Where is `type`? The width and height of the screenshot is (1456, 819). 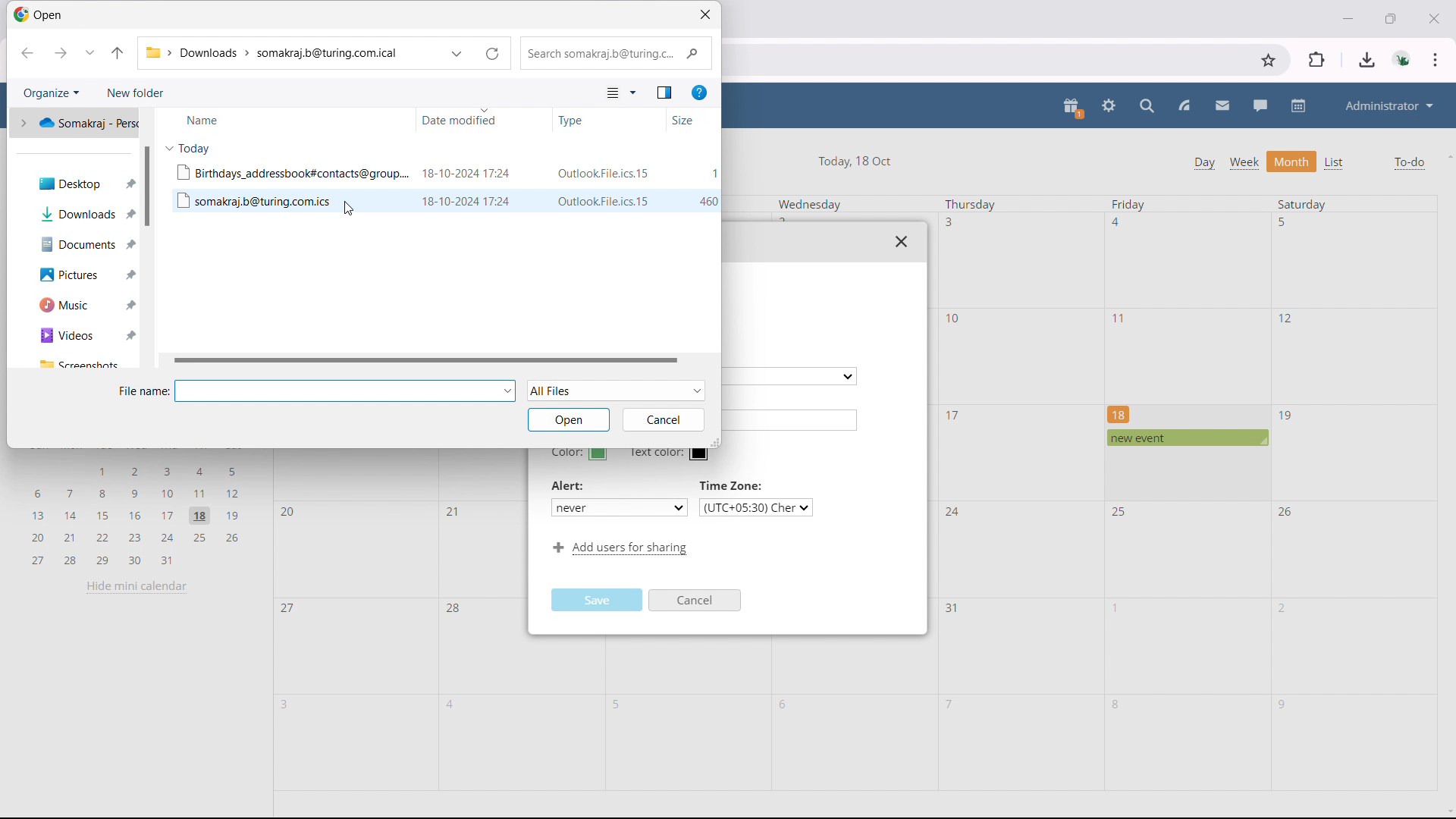
type is located at coordinates (609, 119).